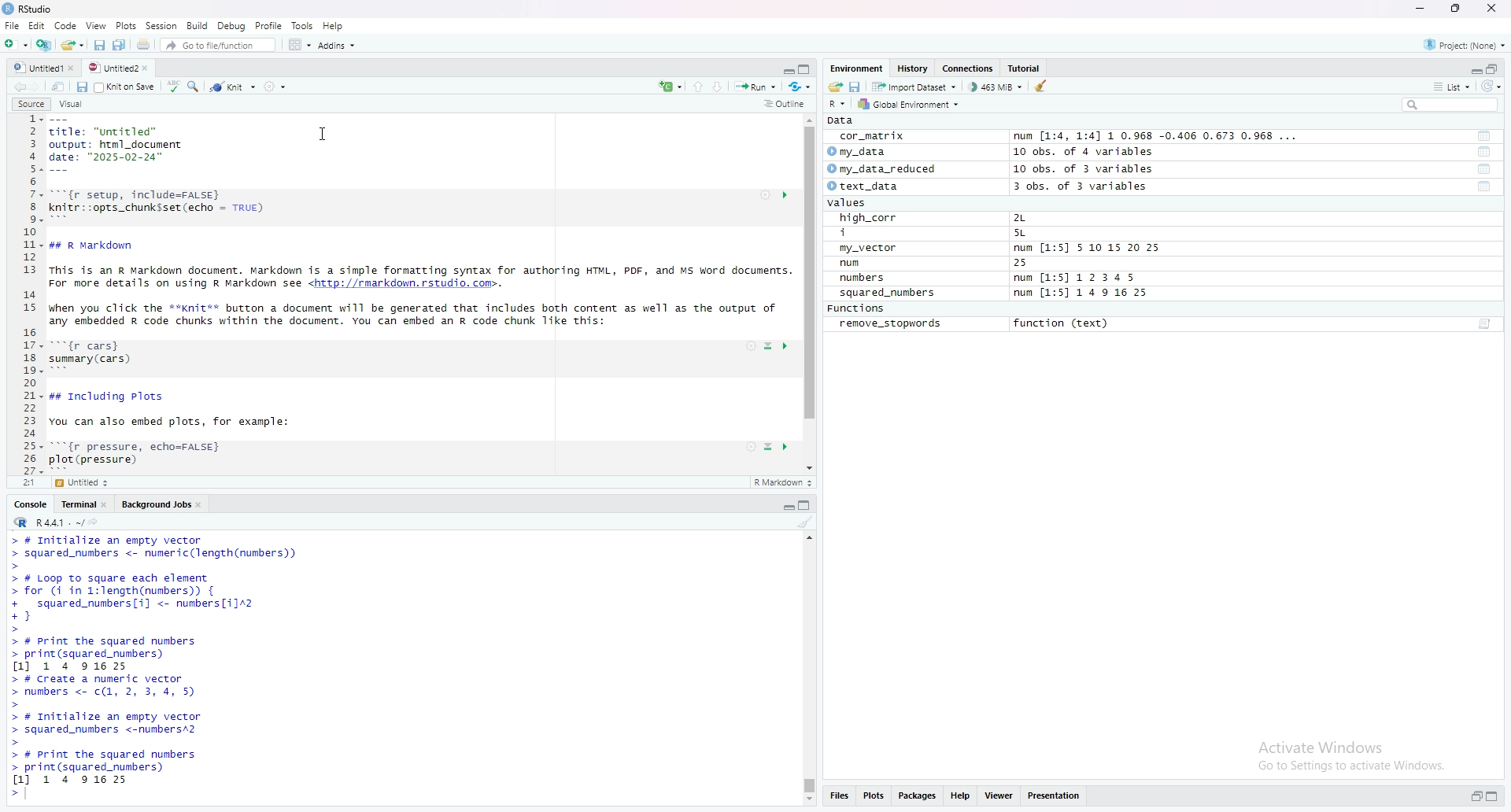 The height and width of the screenshot is (812, 1511). I want to click on Build, so click(198, 28).